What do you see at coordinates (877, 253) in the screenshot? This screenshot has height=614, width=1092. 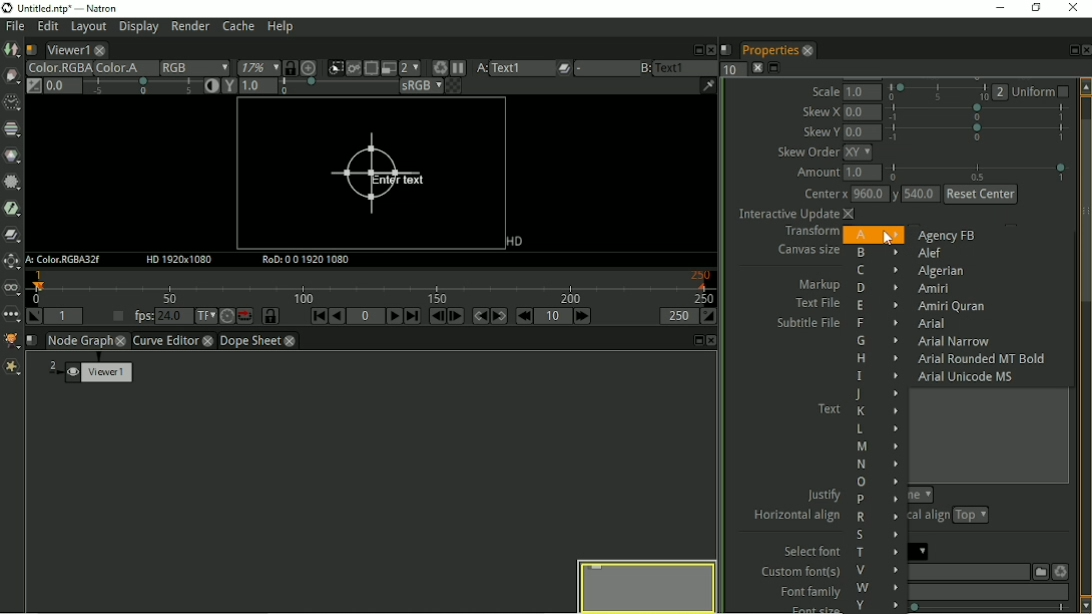 I see `B` at bounding box center [877, 253].